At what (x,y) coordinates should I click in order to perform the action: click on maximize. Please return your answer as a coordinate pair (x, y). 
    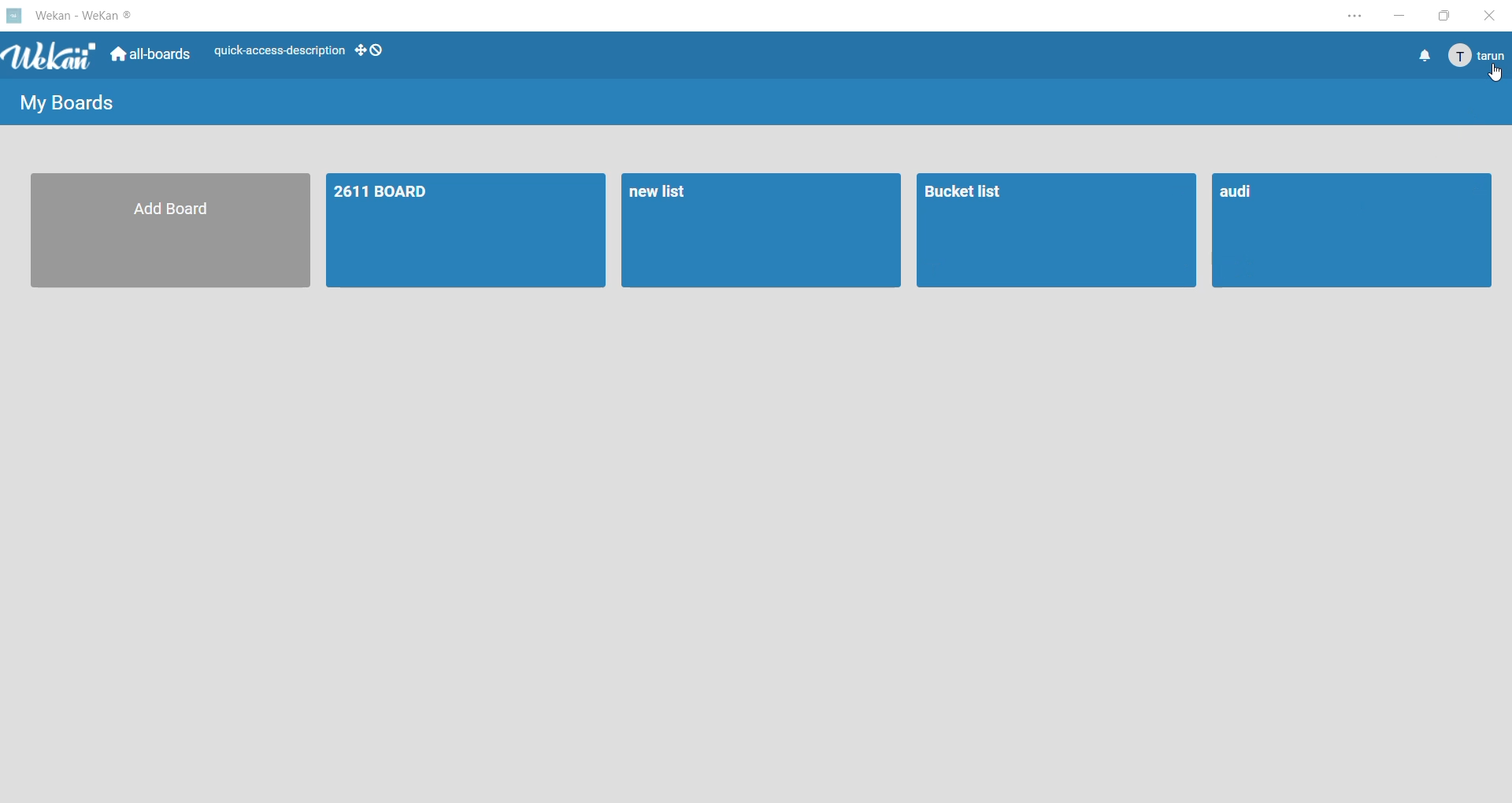
    Looking at the image, I should click on (1450, 16).